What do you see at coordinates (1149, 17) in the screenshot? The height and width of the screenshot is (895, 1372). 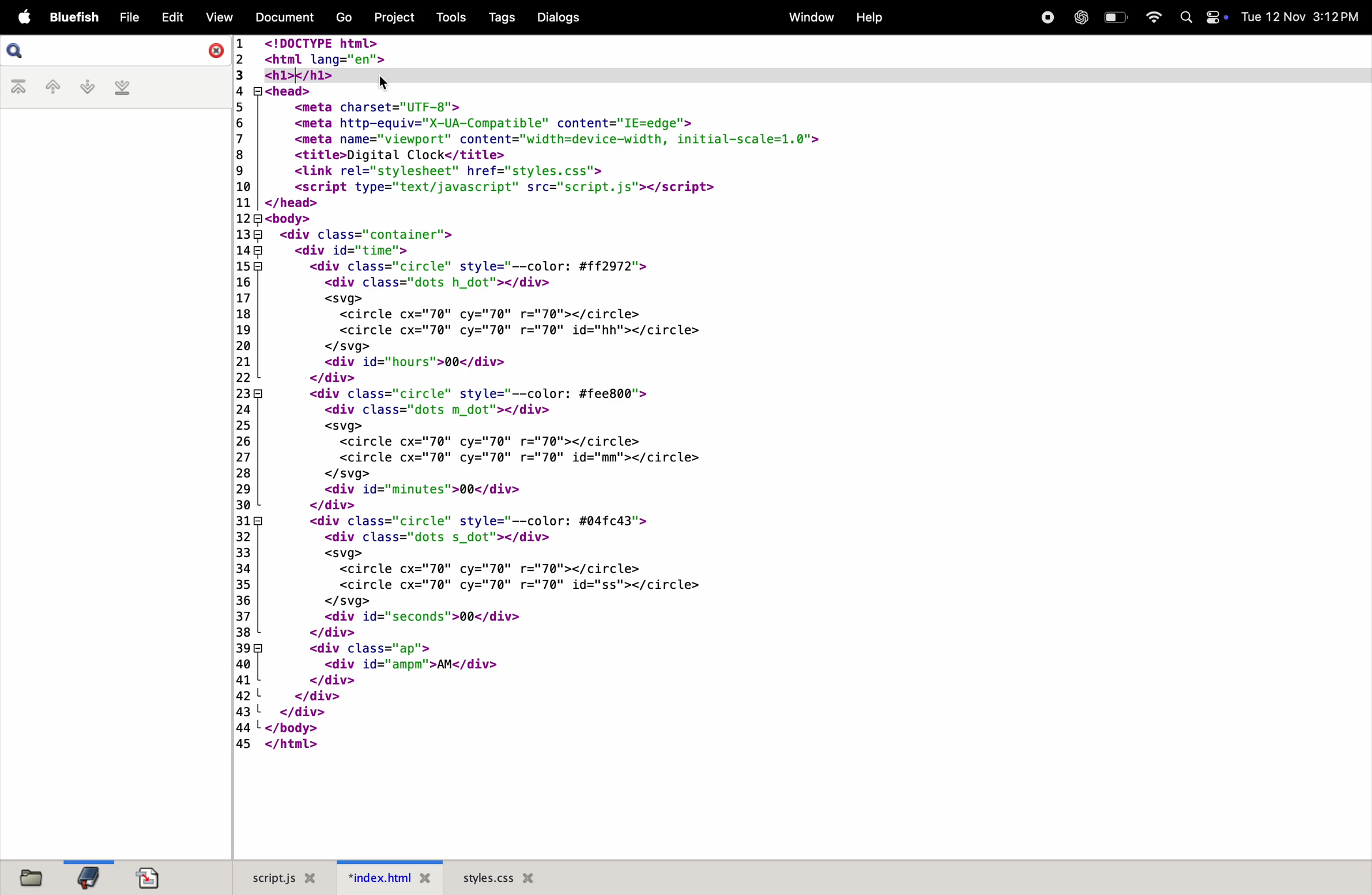 I see `wifi` at bounding box center [1149, 17].